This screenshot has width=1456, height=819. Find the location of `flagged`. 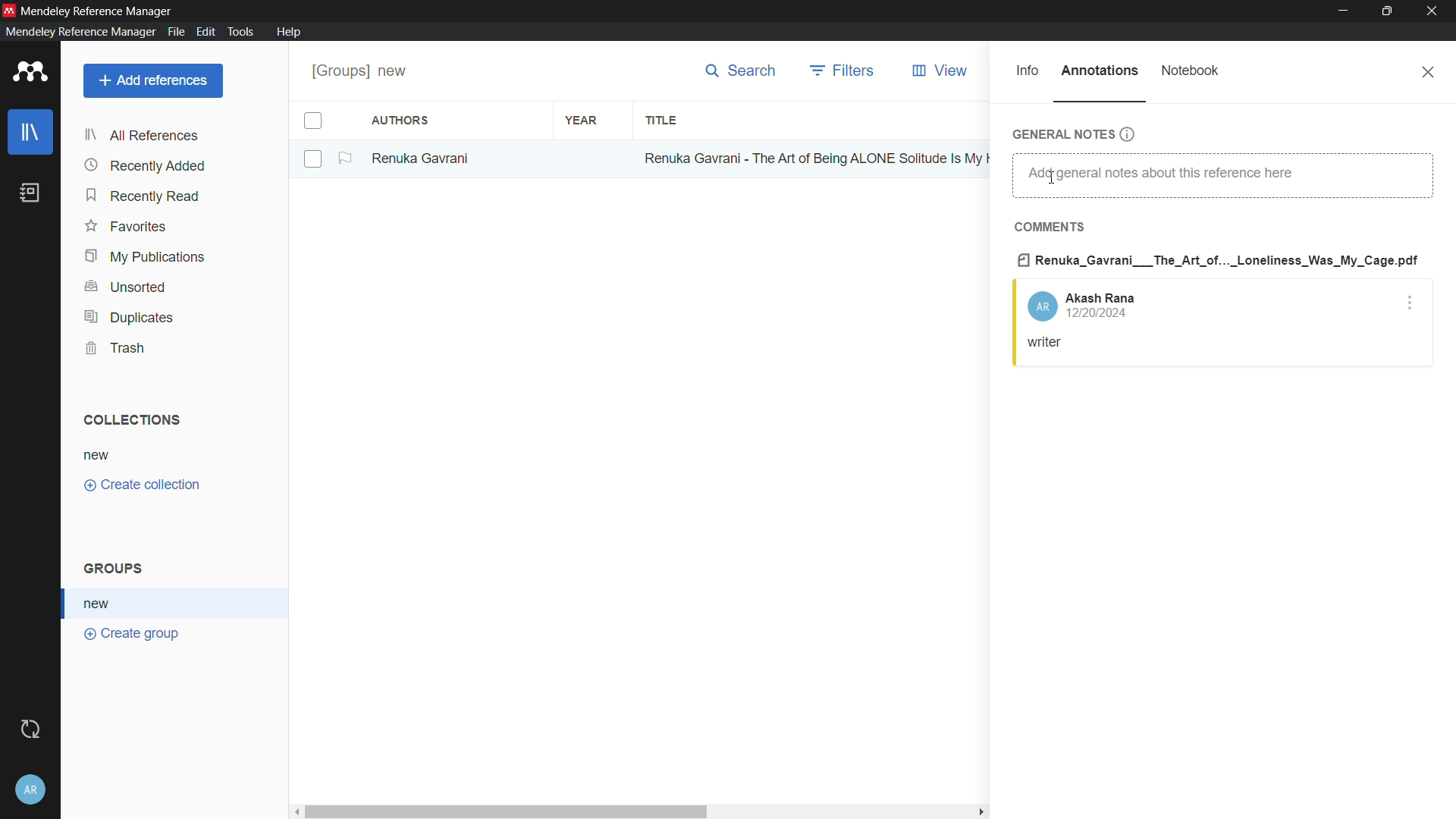

flagged is located at coordinates (347, 158).